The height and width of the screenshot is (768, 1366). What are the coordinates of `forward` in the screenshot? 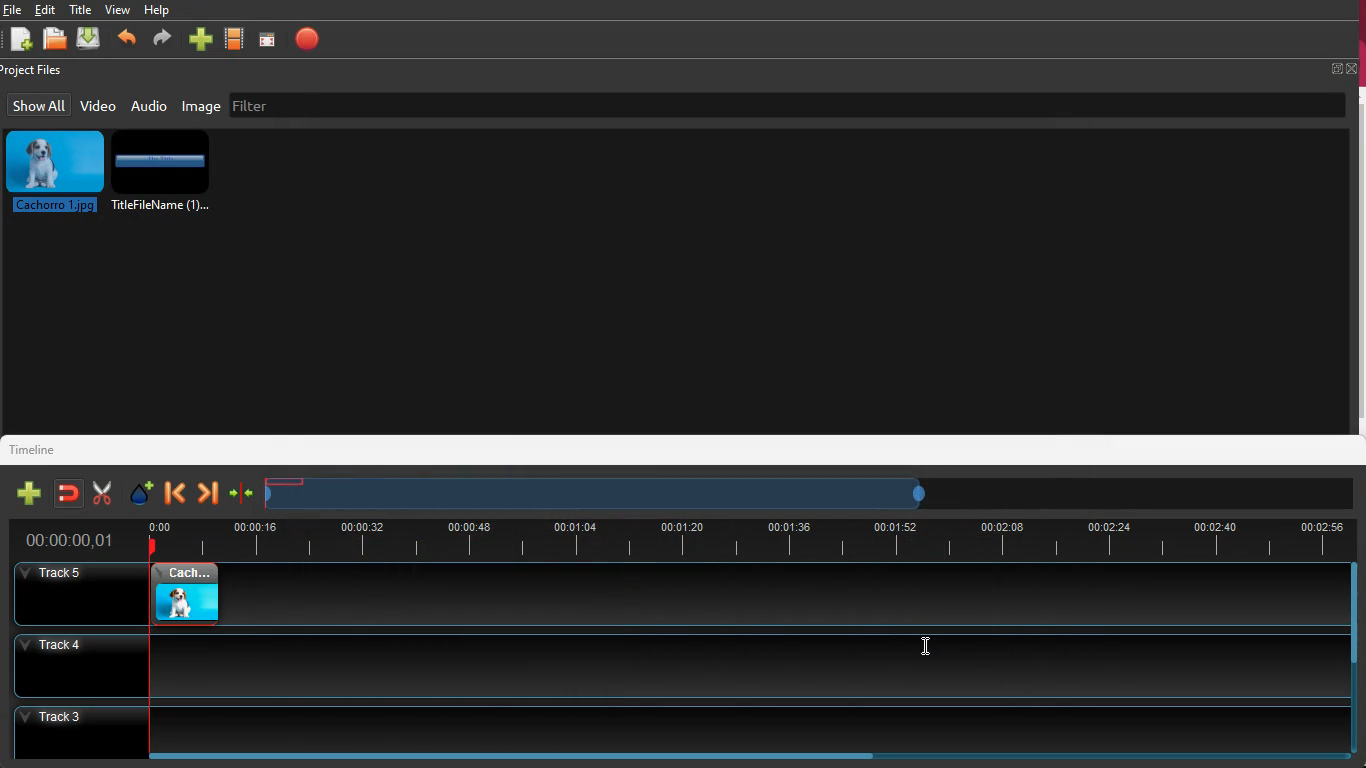 It's located at (207, 494).